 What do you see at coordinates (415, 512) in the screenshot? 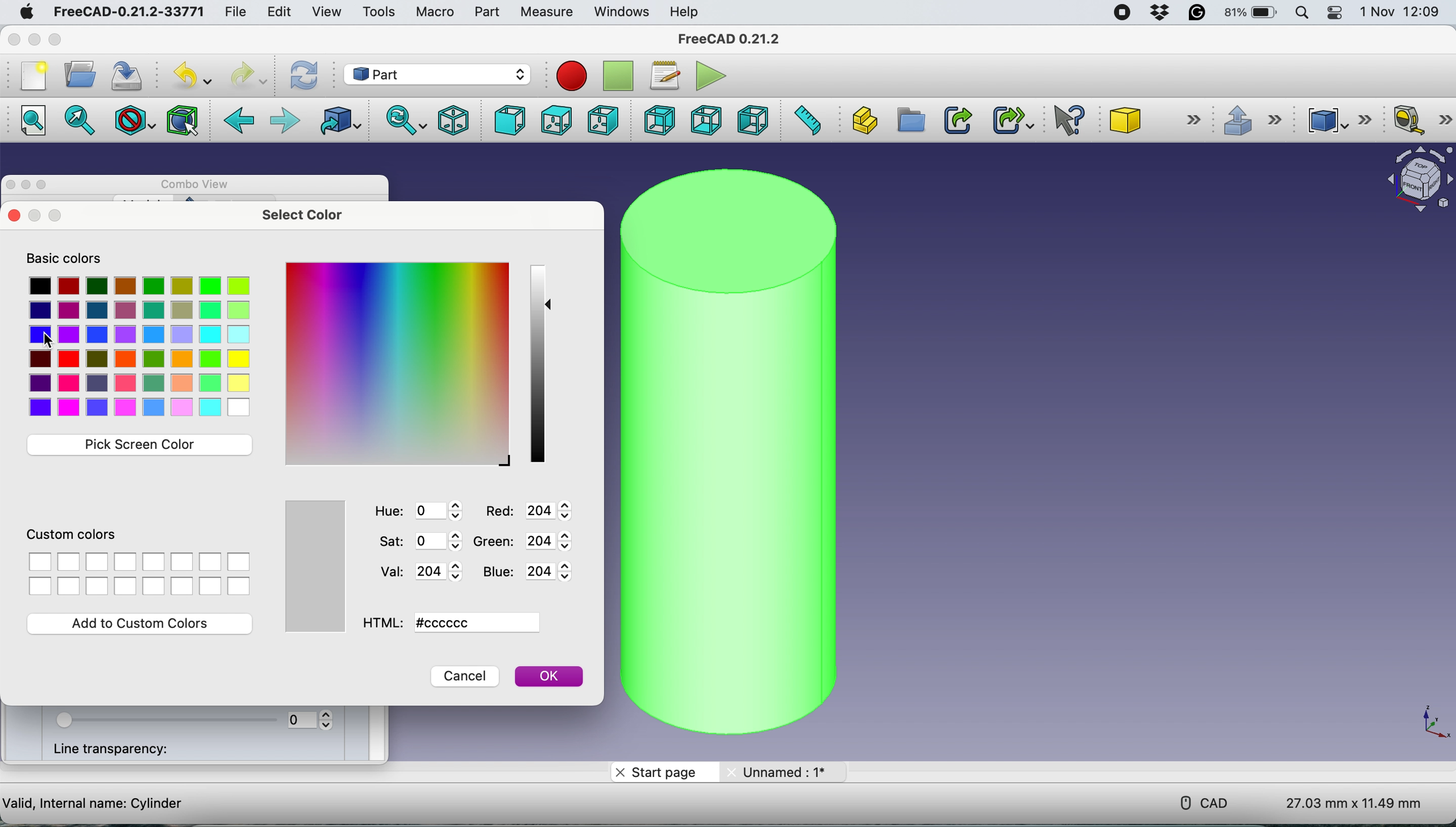
I see `hue` at bounding box center [415, 512].